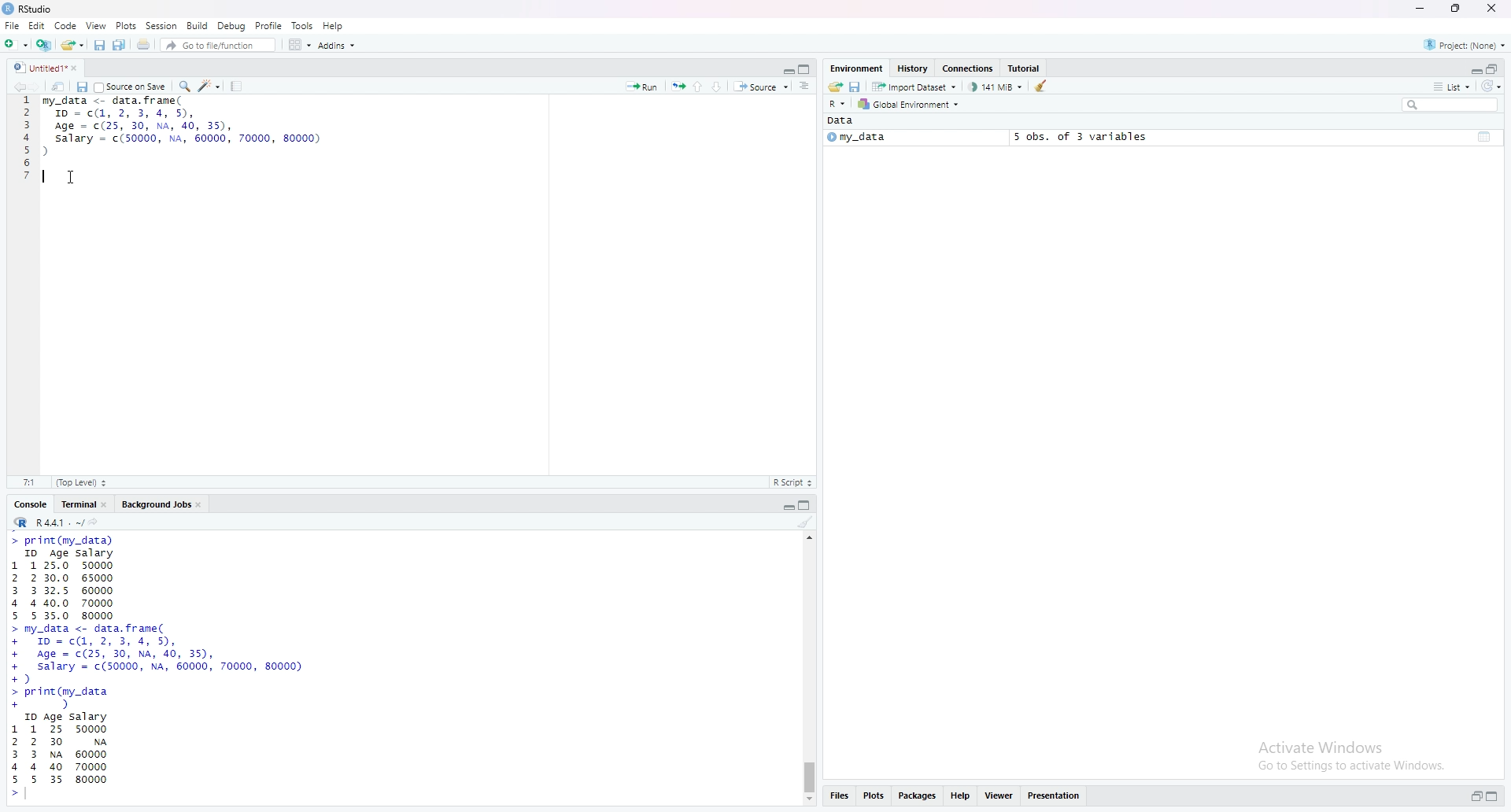 This screenshot has height=812, width=1511. I want to click on text pointer, so click(29, 797).